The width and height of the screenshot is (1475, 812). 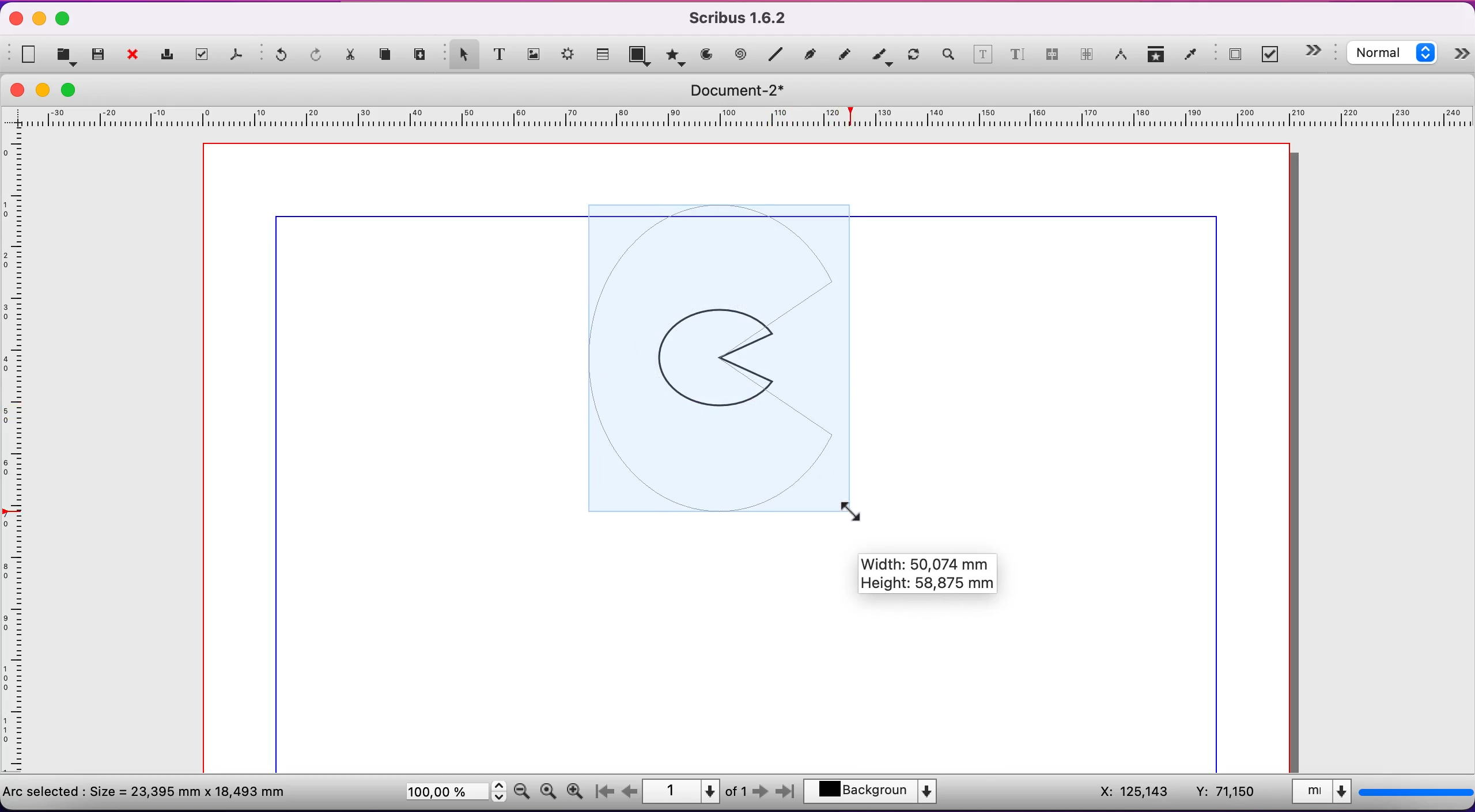 What do you see at coordinates (939, 578) in the screenshot?
I see `width and height` at bounding box center [939, 578].